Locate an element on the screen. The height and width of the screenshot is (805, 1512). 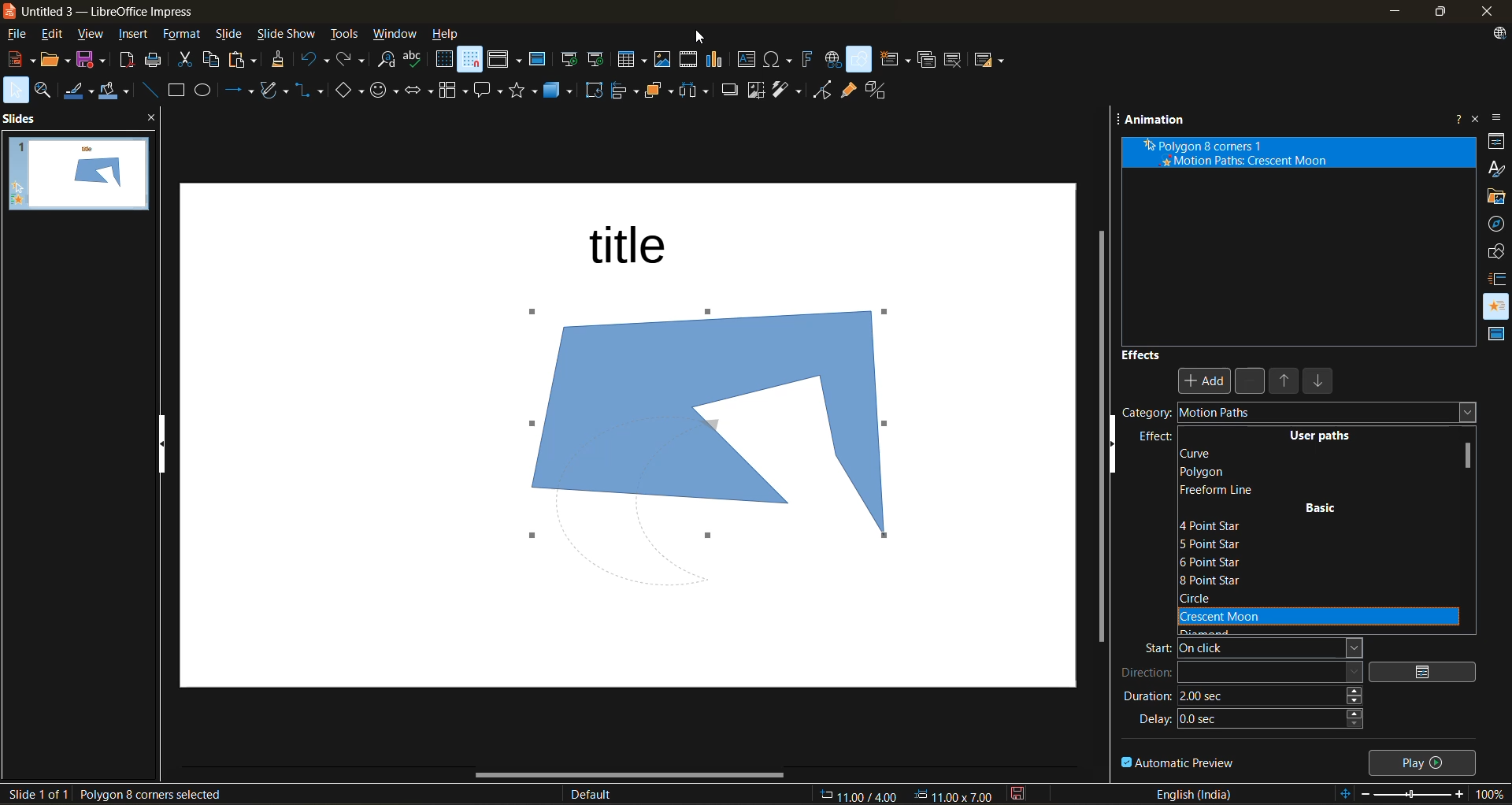
duration is located at coordinates (1248, 695).